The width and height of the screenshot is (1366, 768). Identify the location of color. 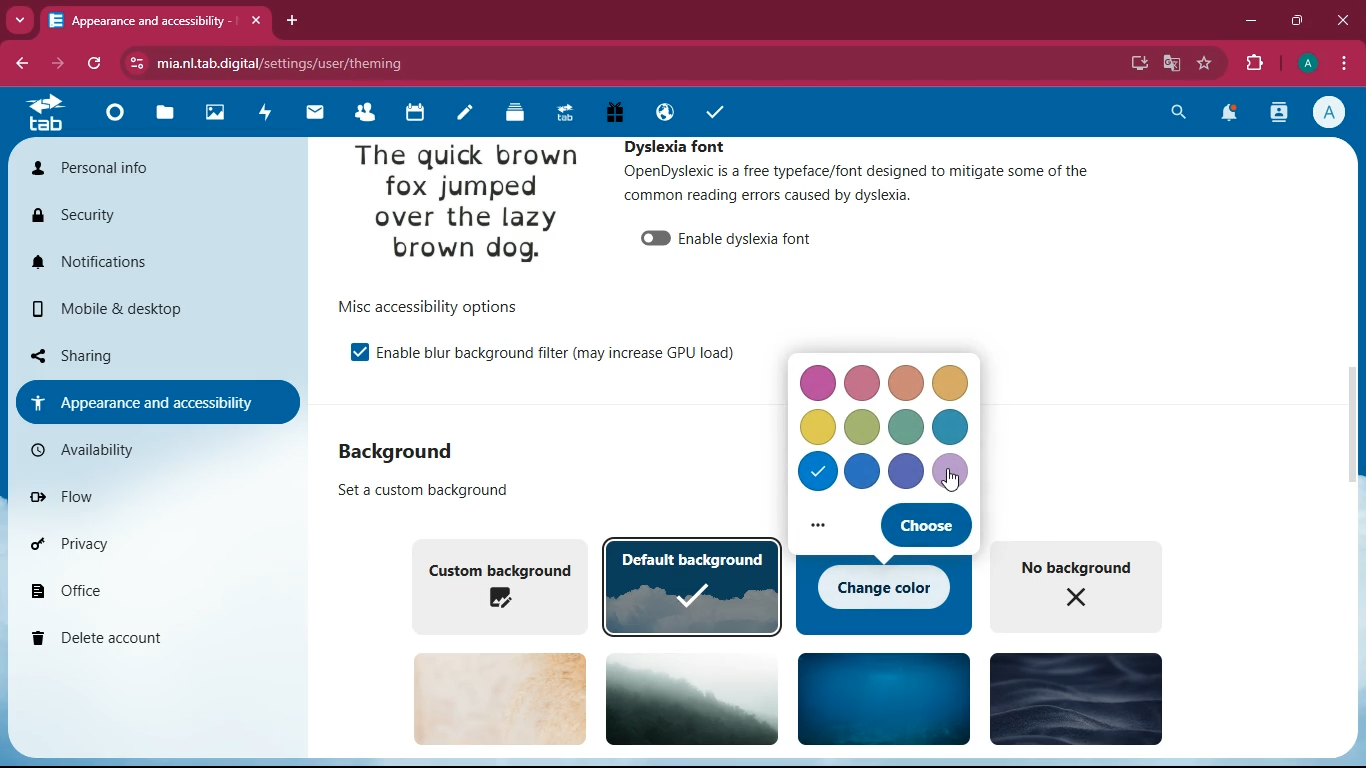
(949, 386).